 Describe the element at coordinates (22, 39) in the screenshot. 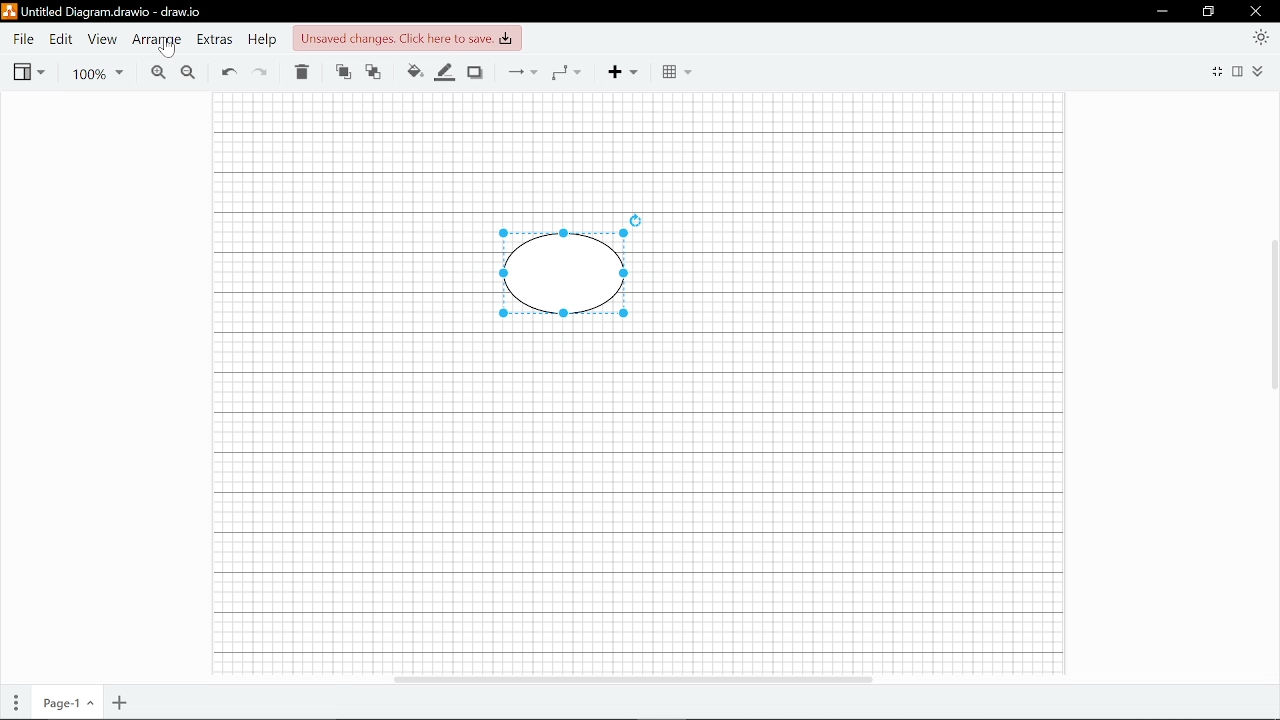

I see `File` at that location.